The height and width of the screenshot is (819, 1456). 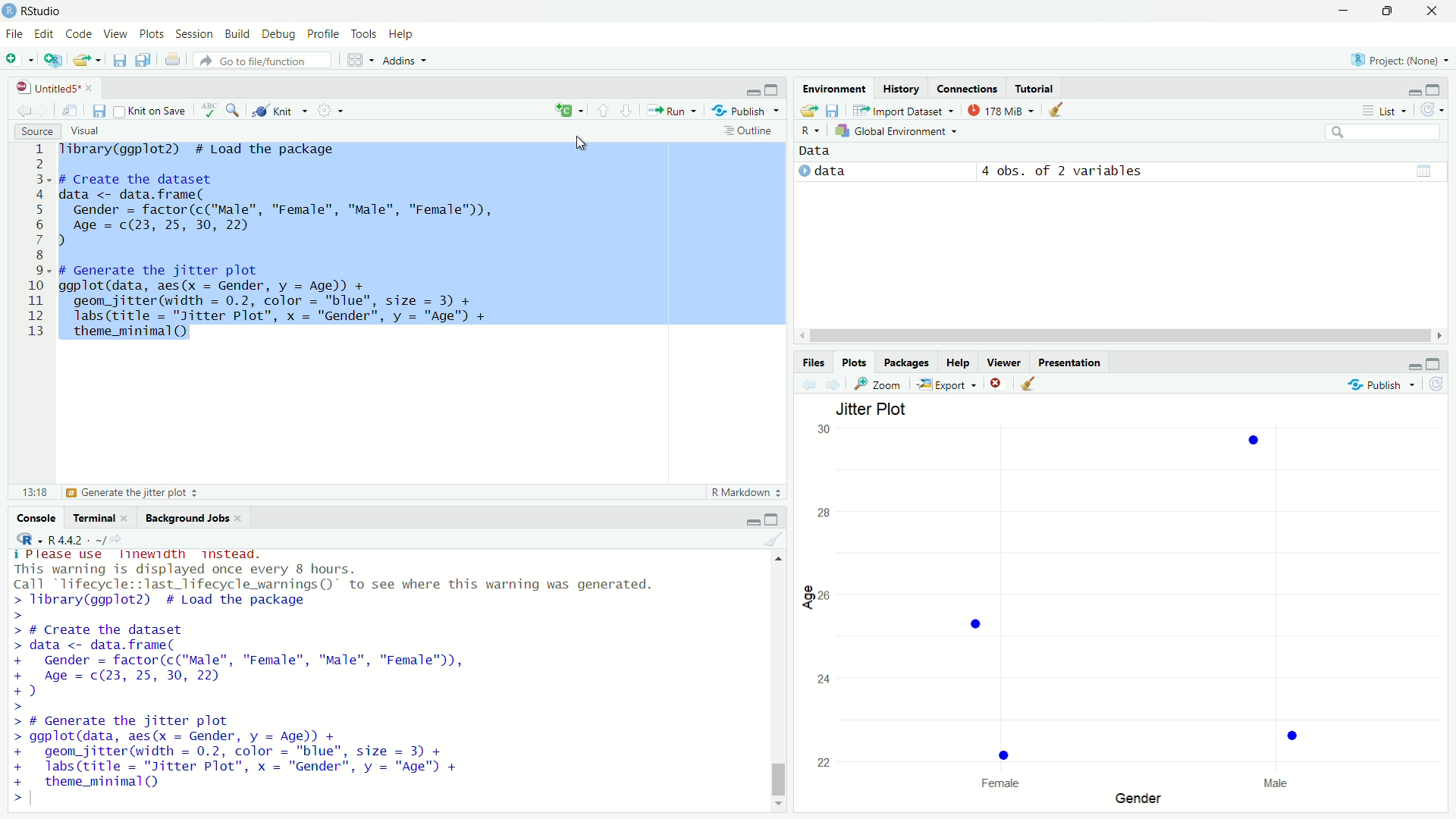 What do you see at coordinates (808, 111) in the screenshot?
I see `load workspace` at bounding box center [808, 111].